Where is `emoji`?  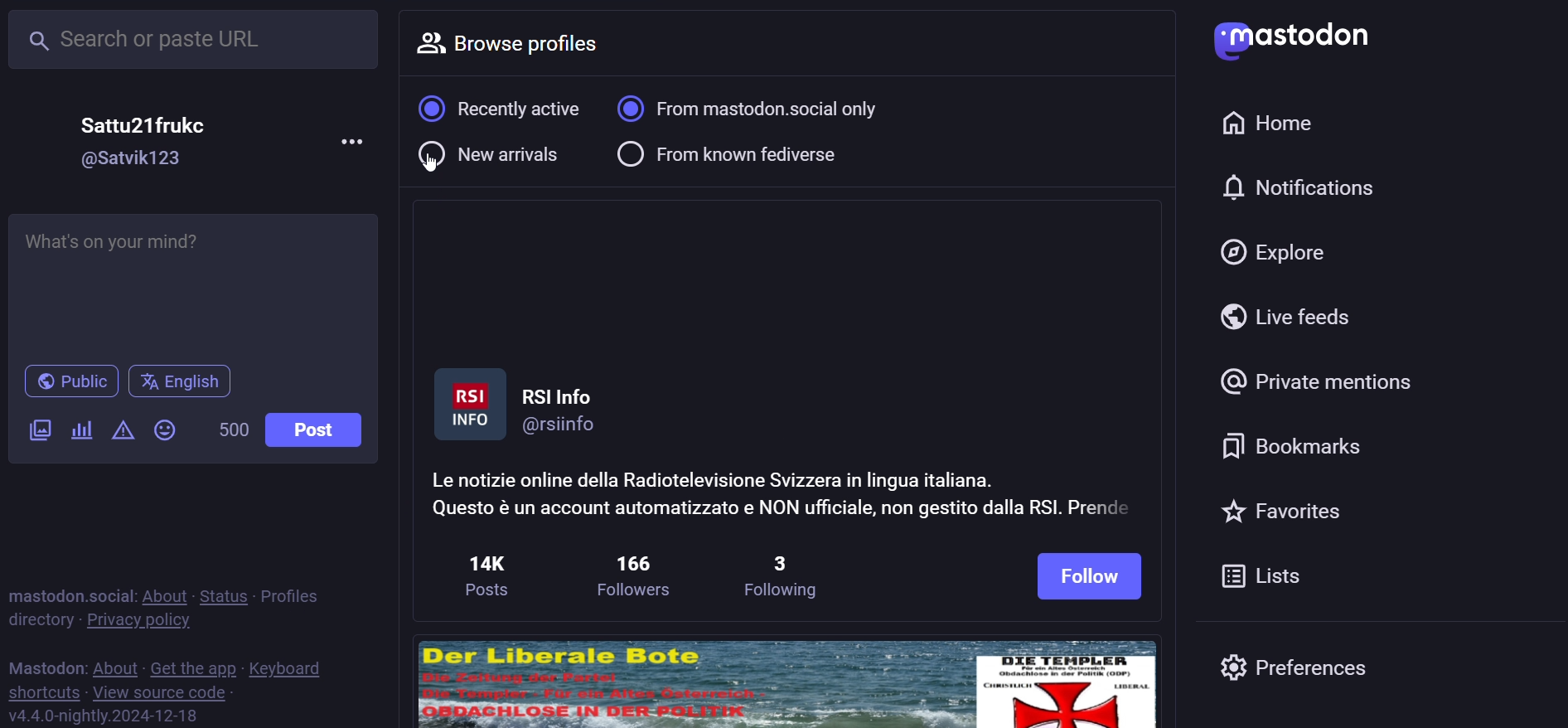
emoji is located at coordinates (163, 431).